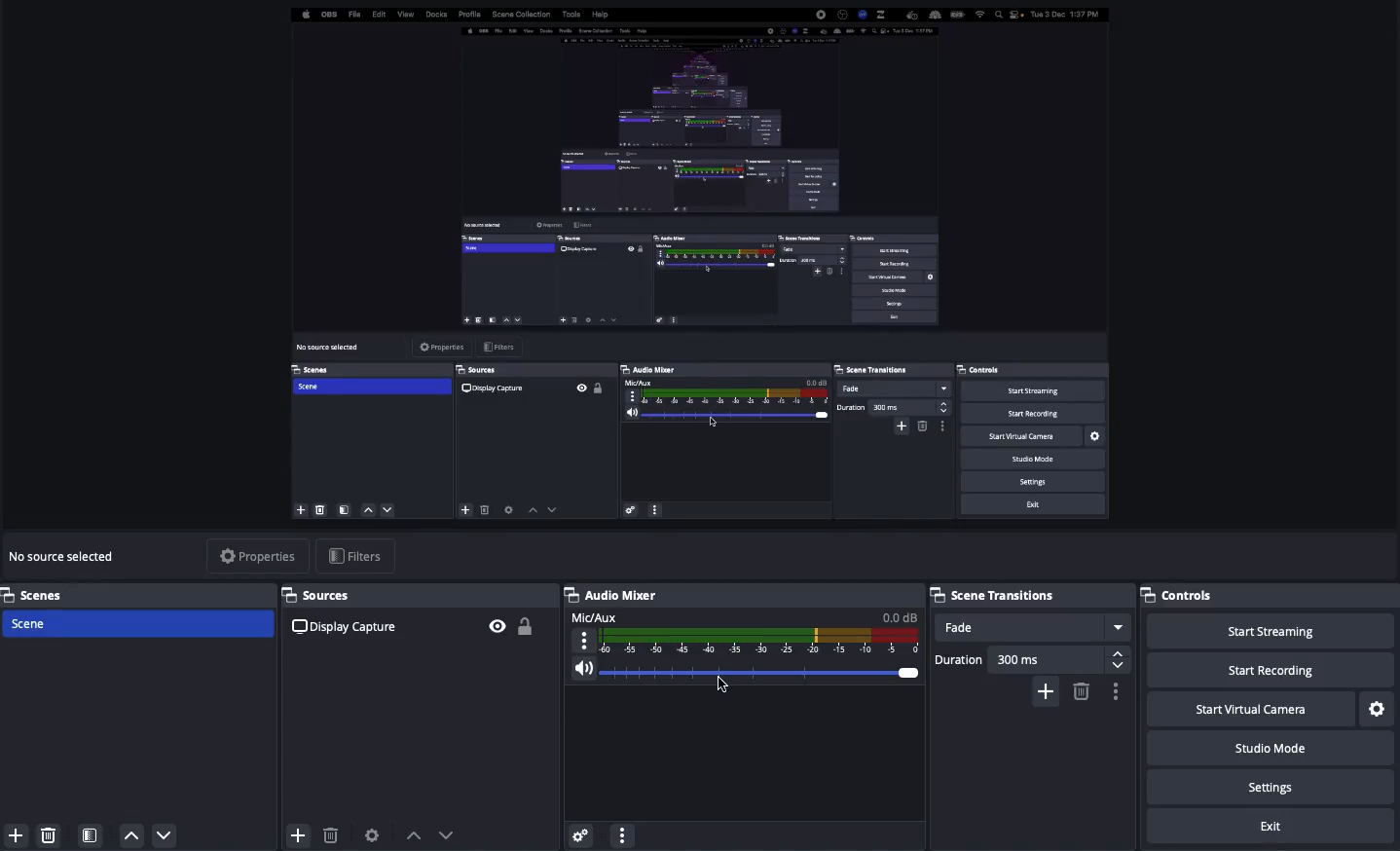  Describe the element at coordinates (497, 624) in the screenshot. I see `Visible` at that location.